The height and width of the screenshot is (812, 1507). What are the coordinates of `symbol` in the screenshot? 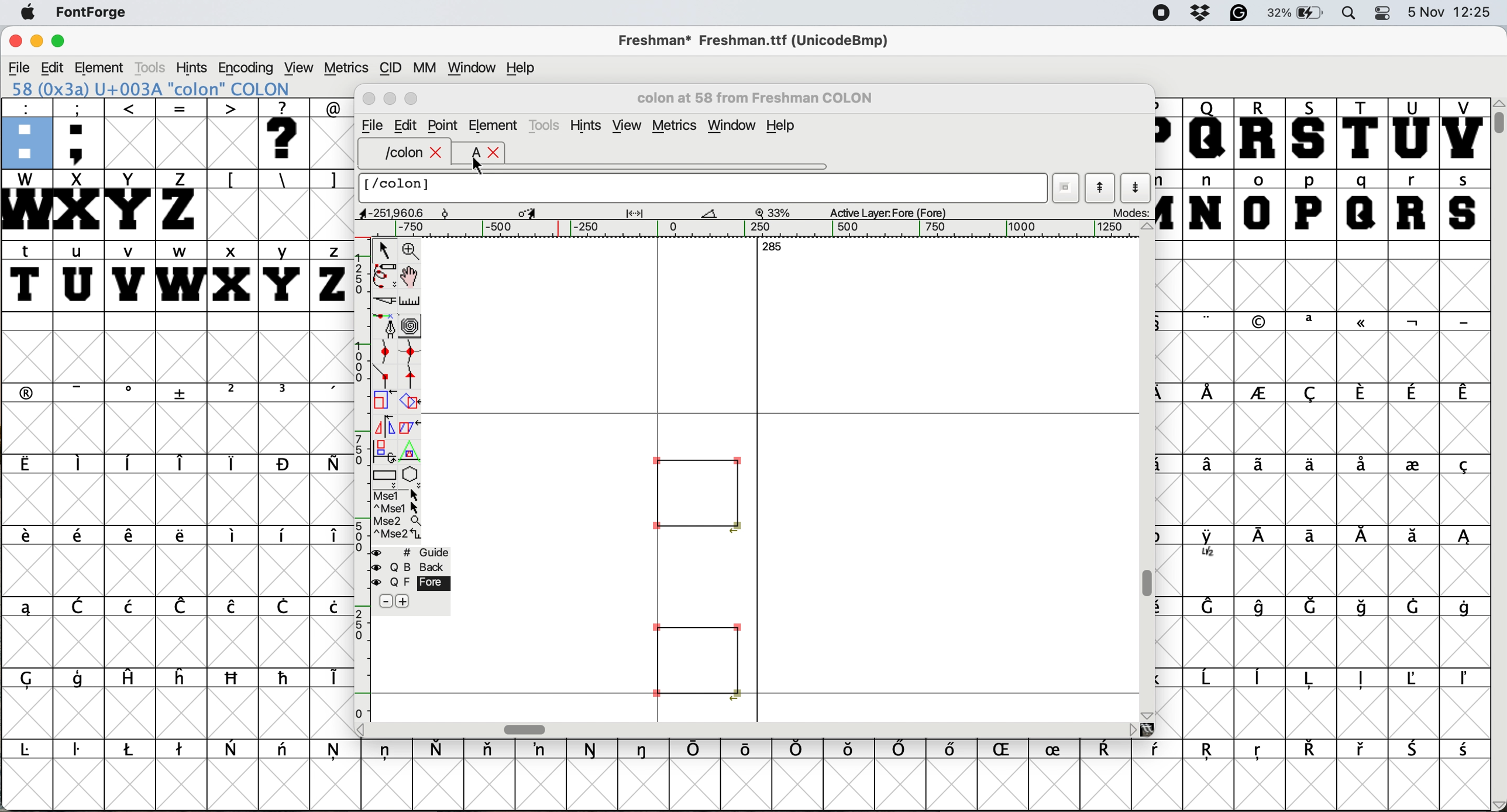 It's located at (133, 537).